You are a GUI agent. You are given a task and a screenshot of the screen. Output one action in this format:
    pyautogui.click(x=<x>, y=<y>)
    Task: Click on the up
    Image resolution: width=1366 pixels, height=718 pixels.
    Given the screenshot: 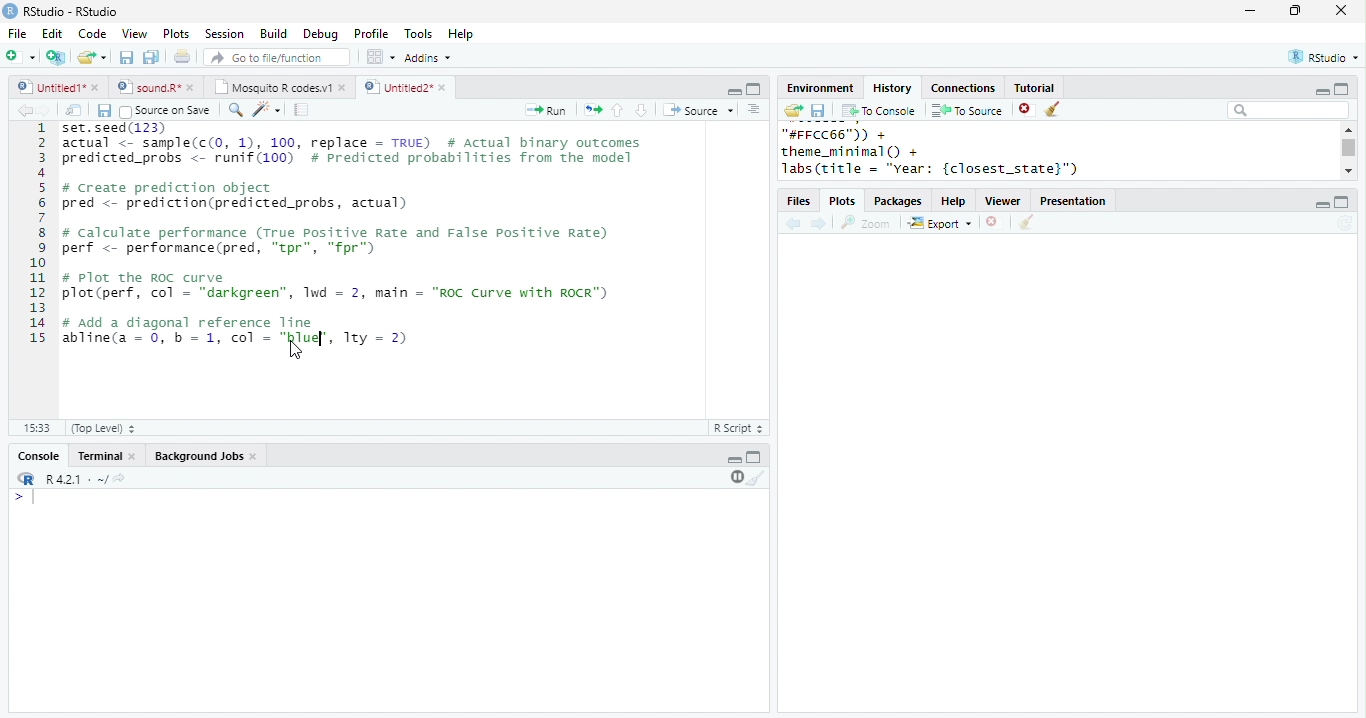 What is the action you would take?
    pyautogui.click(x=616, y=110)
    